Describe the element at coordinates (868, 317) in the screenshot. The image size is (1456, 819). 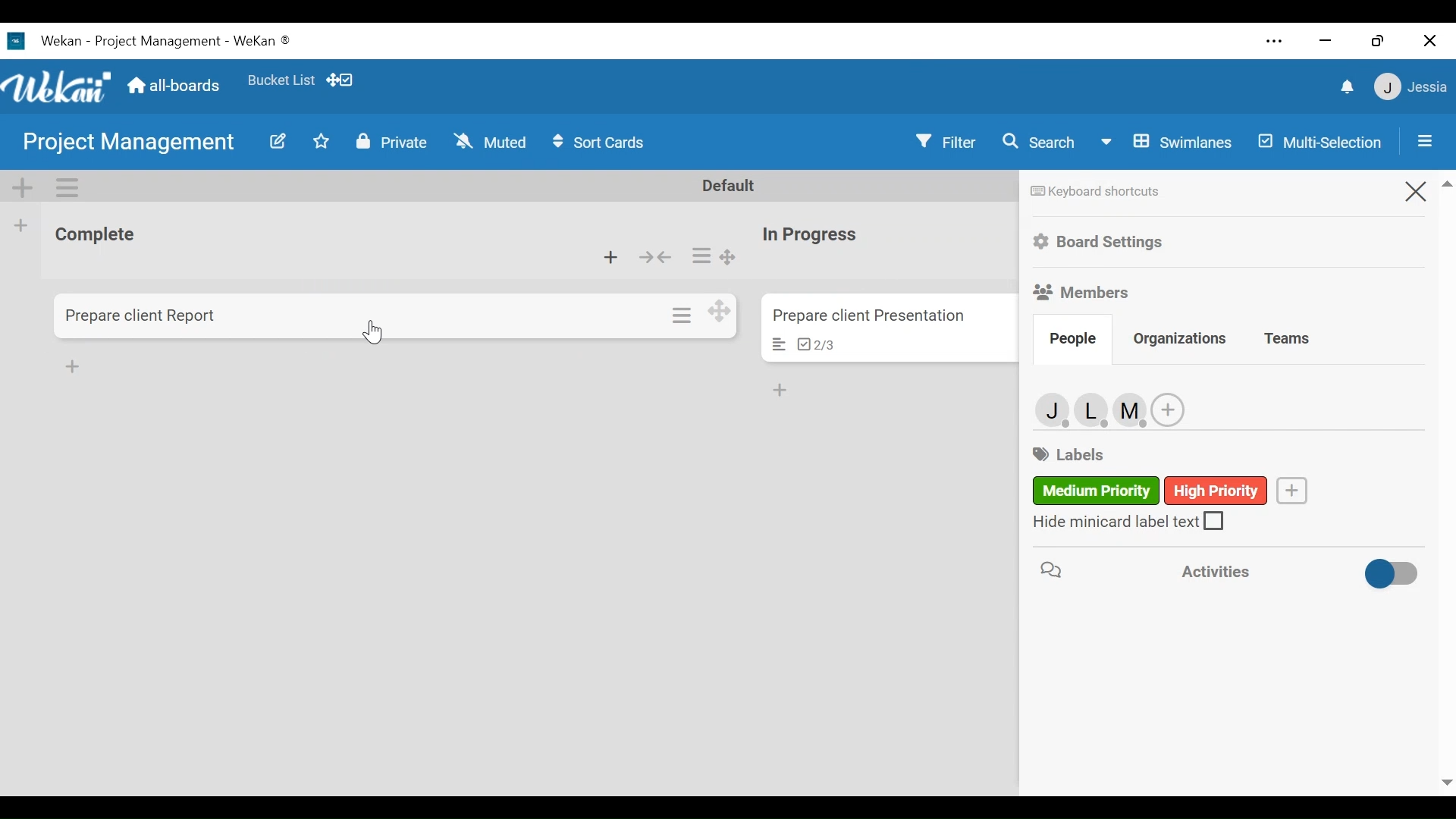
I see `Card Title` at that location.